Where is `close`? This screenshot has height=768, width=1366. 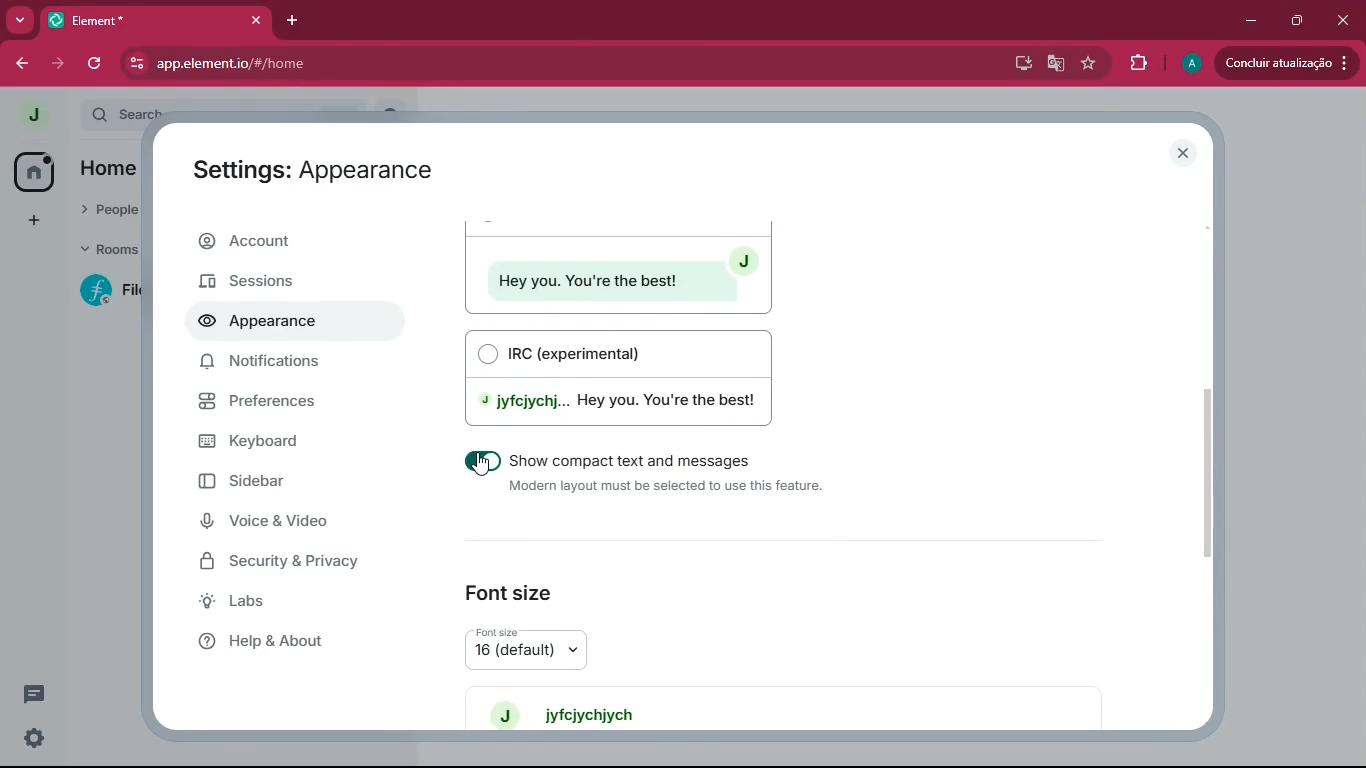 close is located at coordinates (1344, 15).